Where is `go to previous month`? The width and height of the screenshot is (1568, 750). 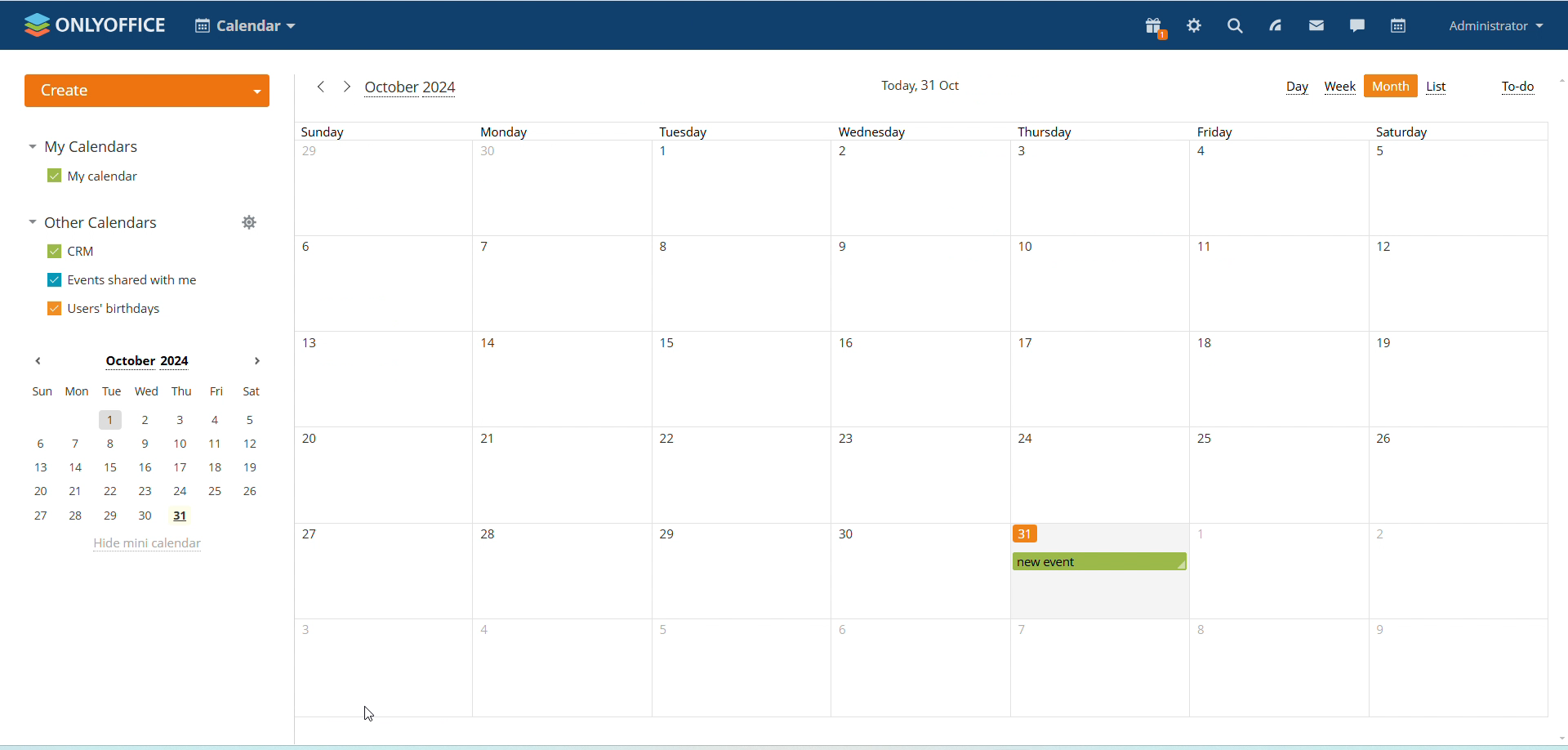 go to previous month is located at coordinates (321, 87).